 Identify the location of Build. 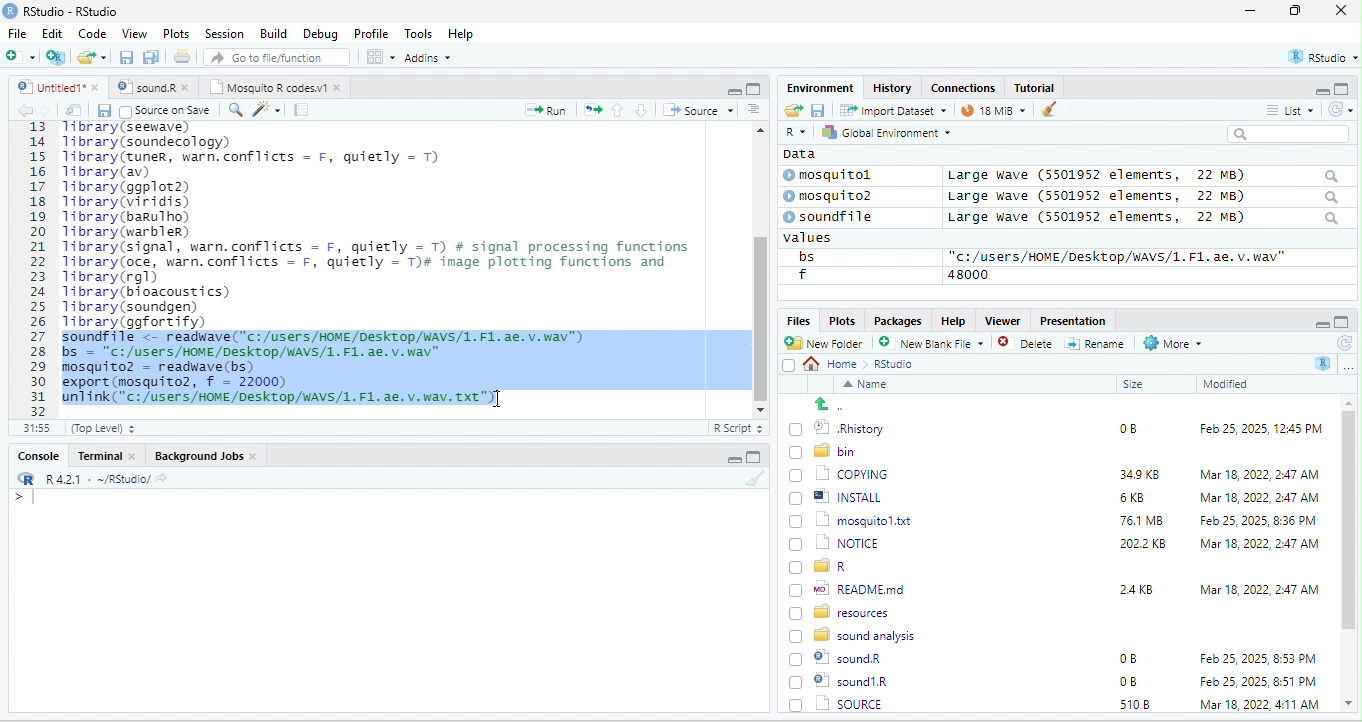
(274, 33).